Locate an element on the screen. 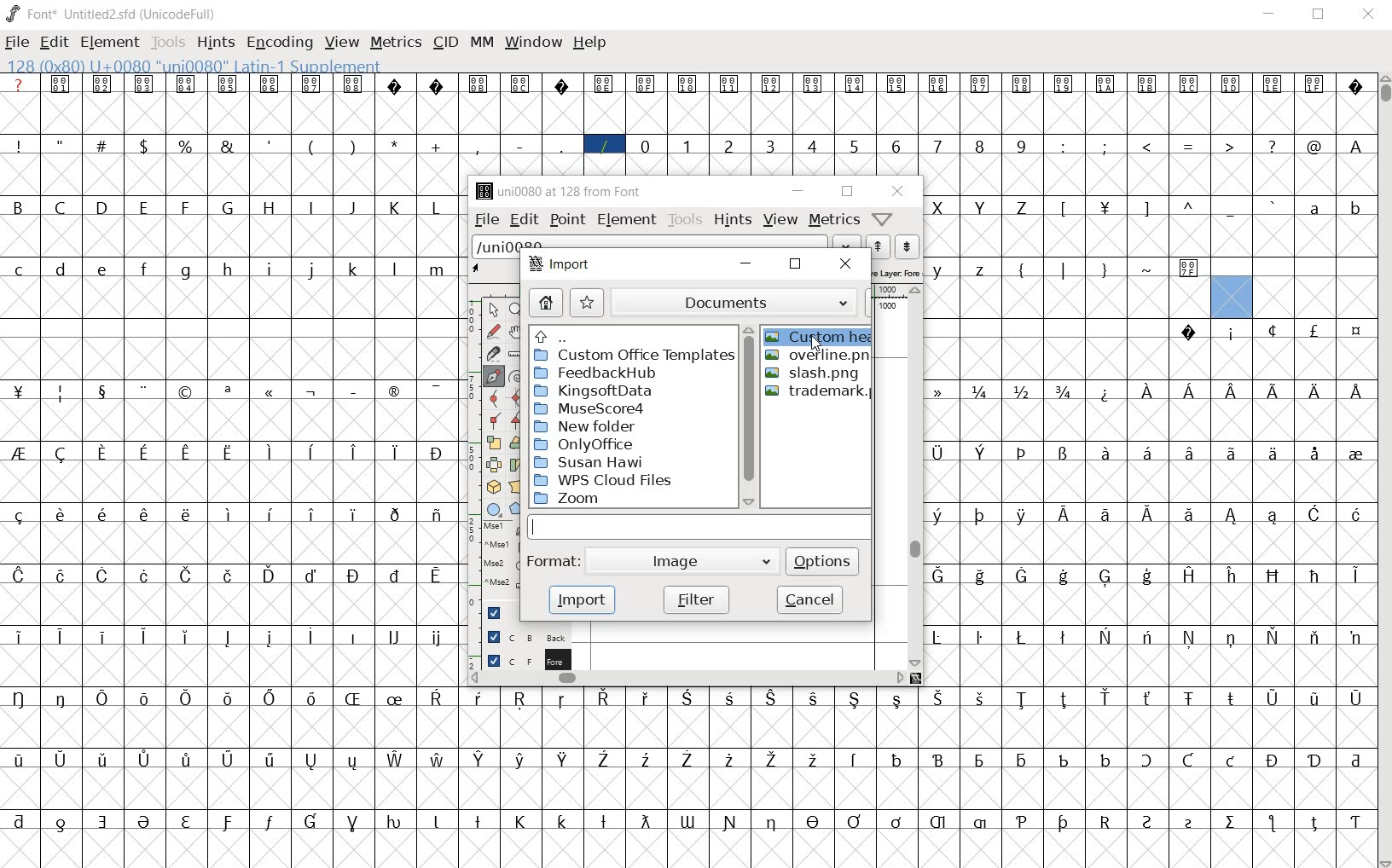 The image size is (1392, 868). glyph is located at coordinates (1024, 453).